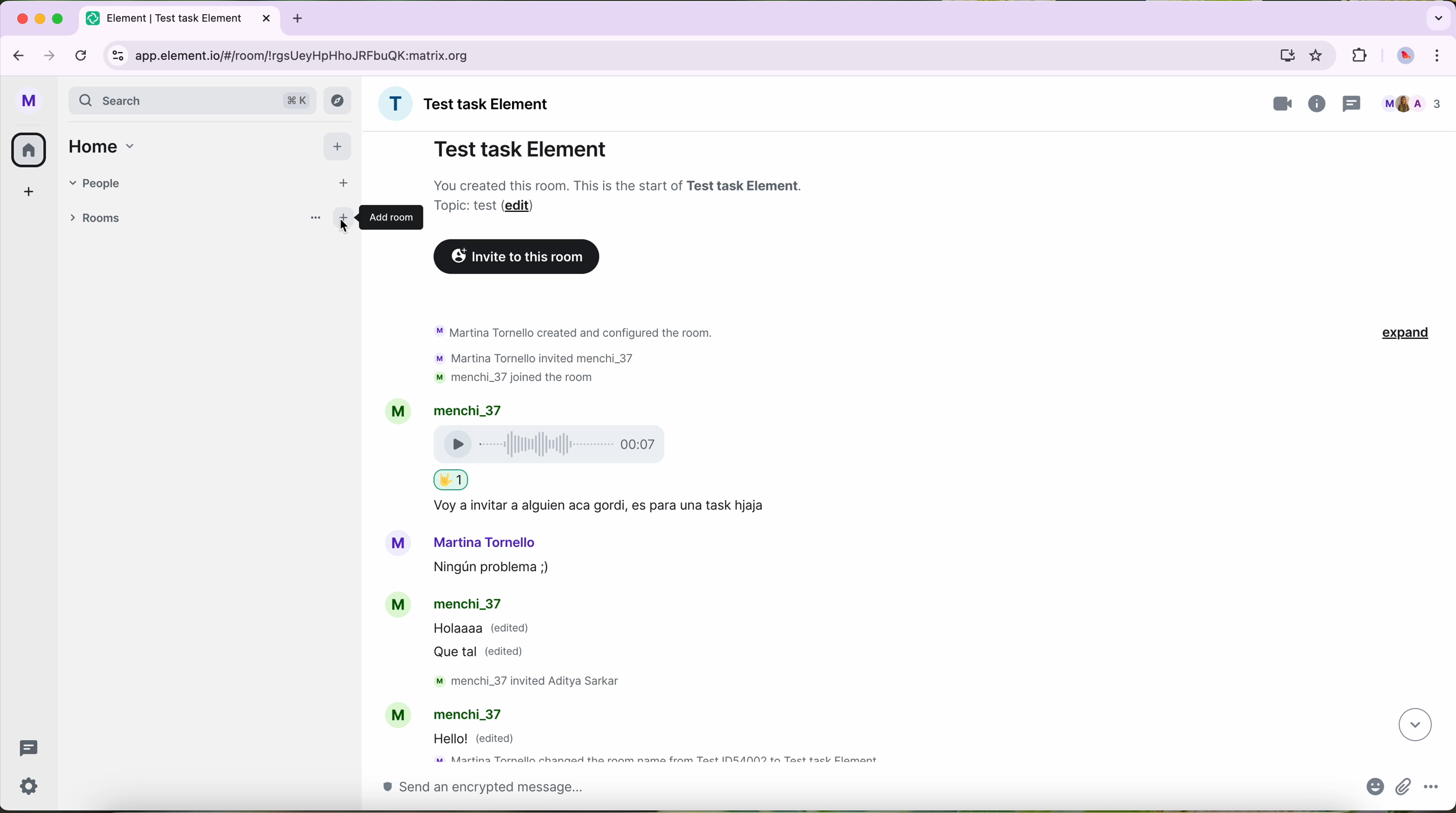 This screenshot has width=1456, height=813. What do you see at coordinates (1432, 789) in the screenshot?
I see `more options` at bounding box center [1432, 789].